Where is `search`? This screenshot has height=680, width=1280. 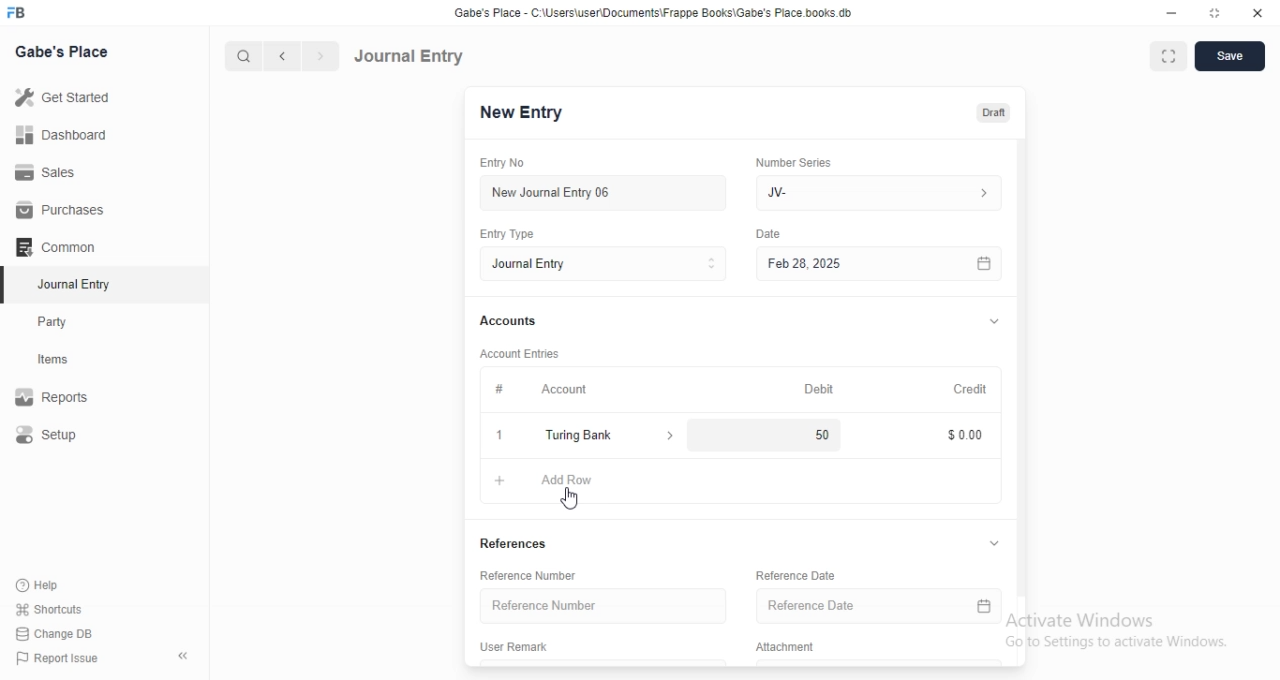
search is located at coordinates (245, 56).